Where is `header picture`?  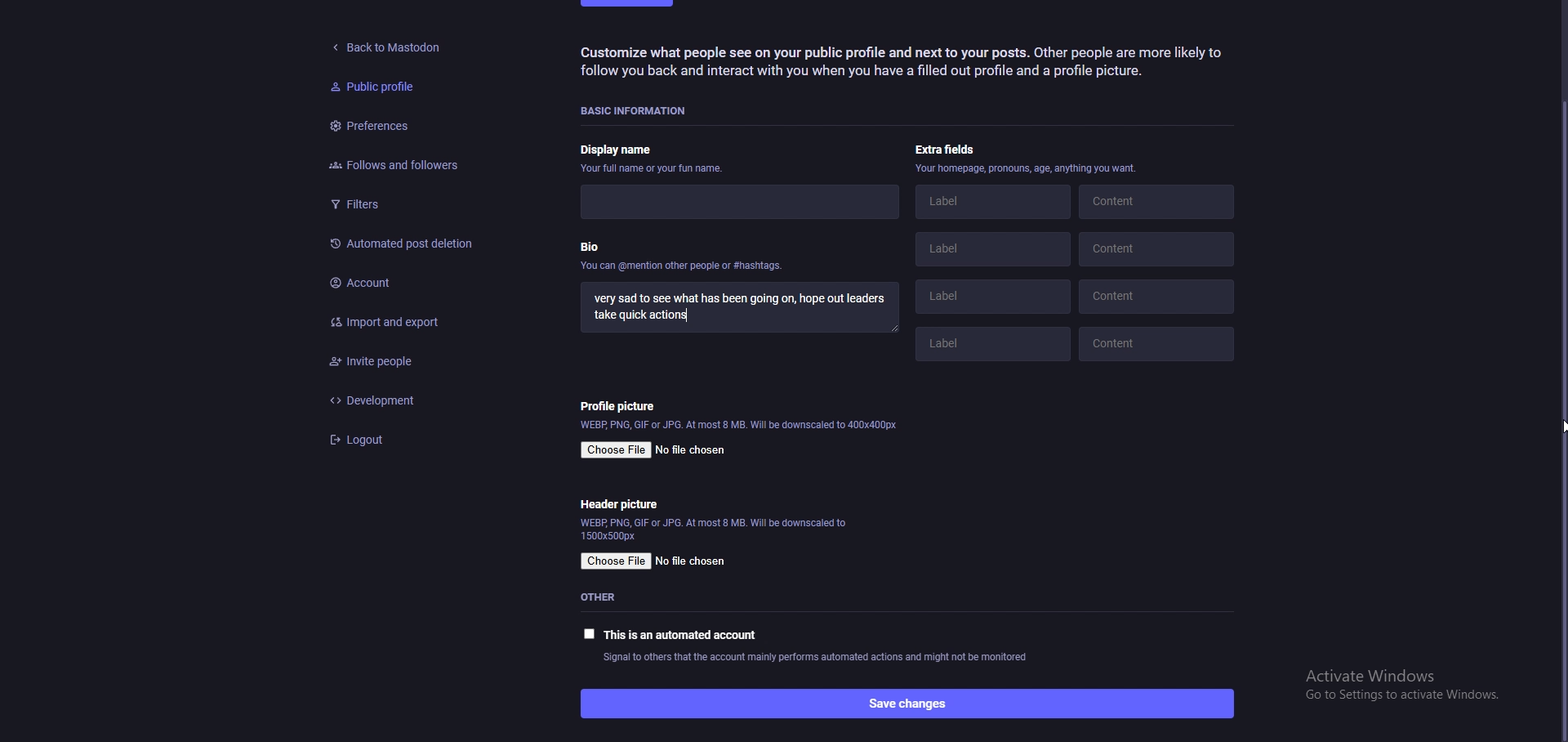
header picture is located at coordinates (621, 504).